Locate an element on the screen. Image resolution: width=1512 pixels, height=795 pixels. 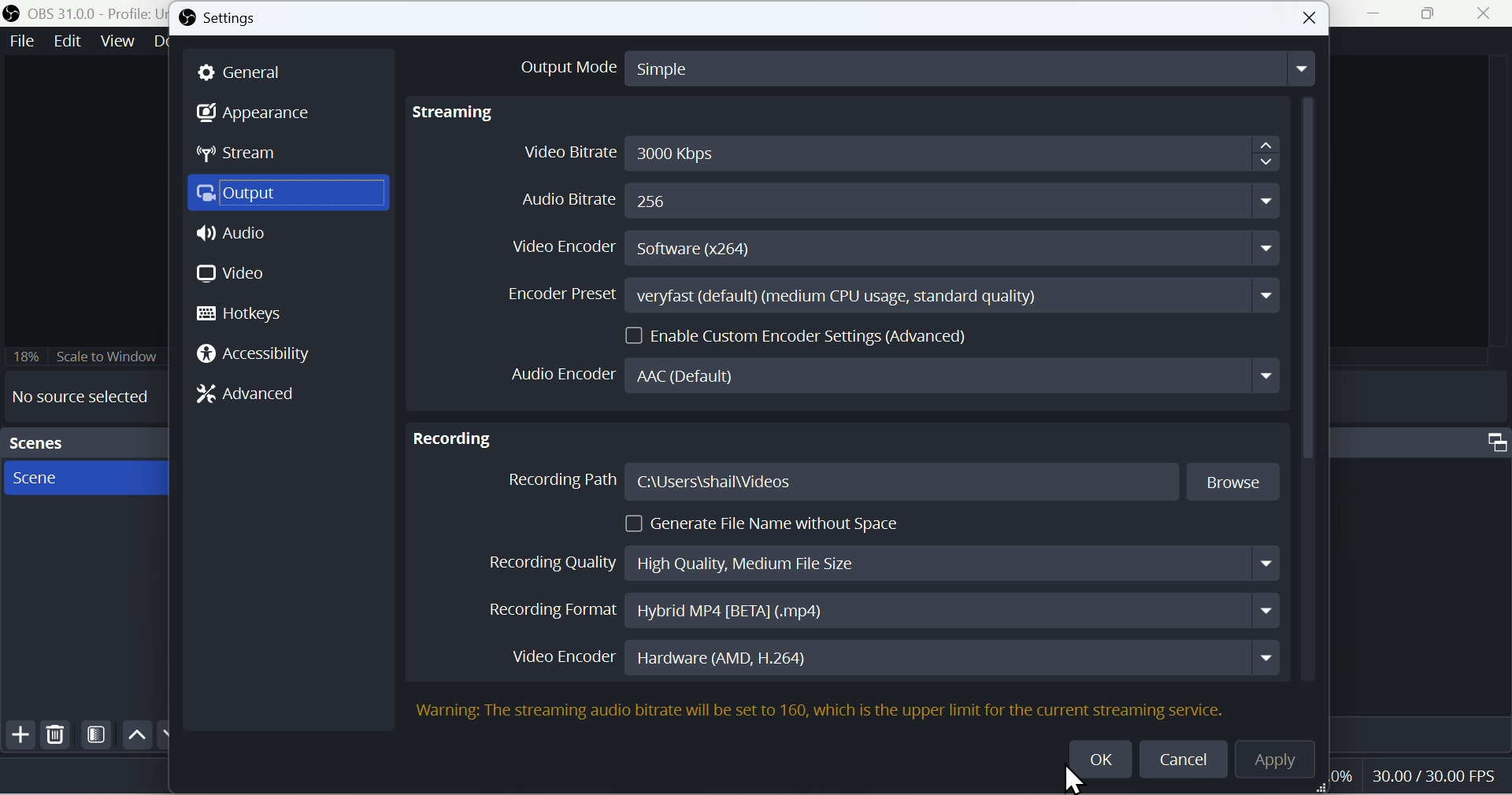
Stream is located at coordinates (250, 157).